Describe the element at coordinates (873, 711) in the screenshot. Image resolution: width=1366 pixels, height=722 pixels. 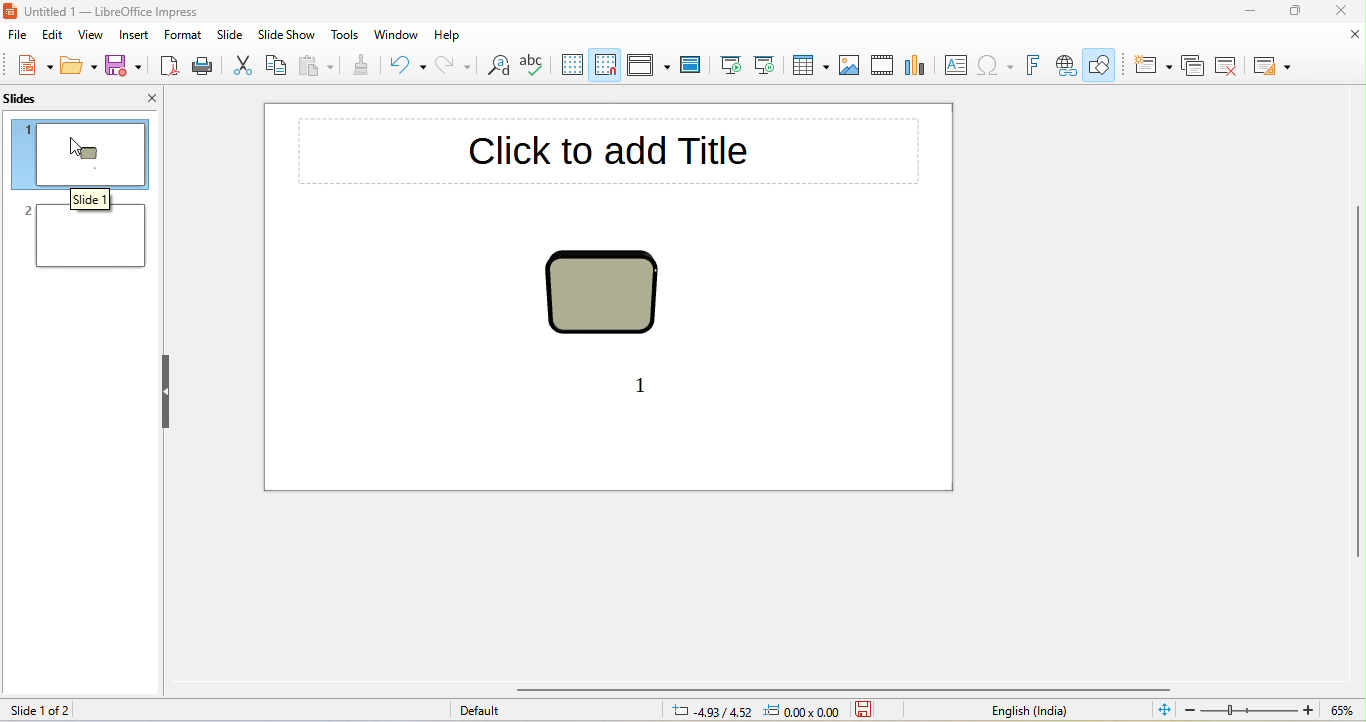
I see `save the documant` at that location.